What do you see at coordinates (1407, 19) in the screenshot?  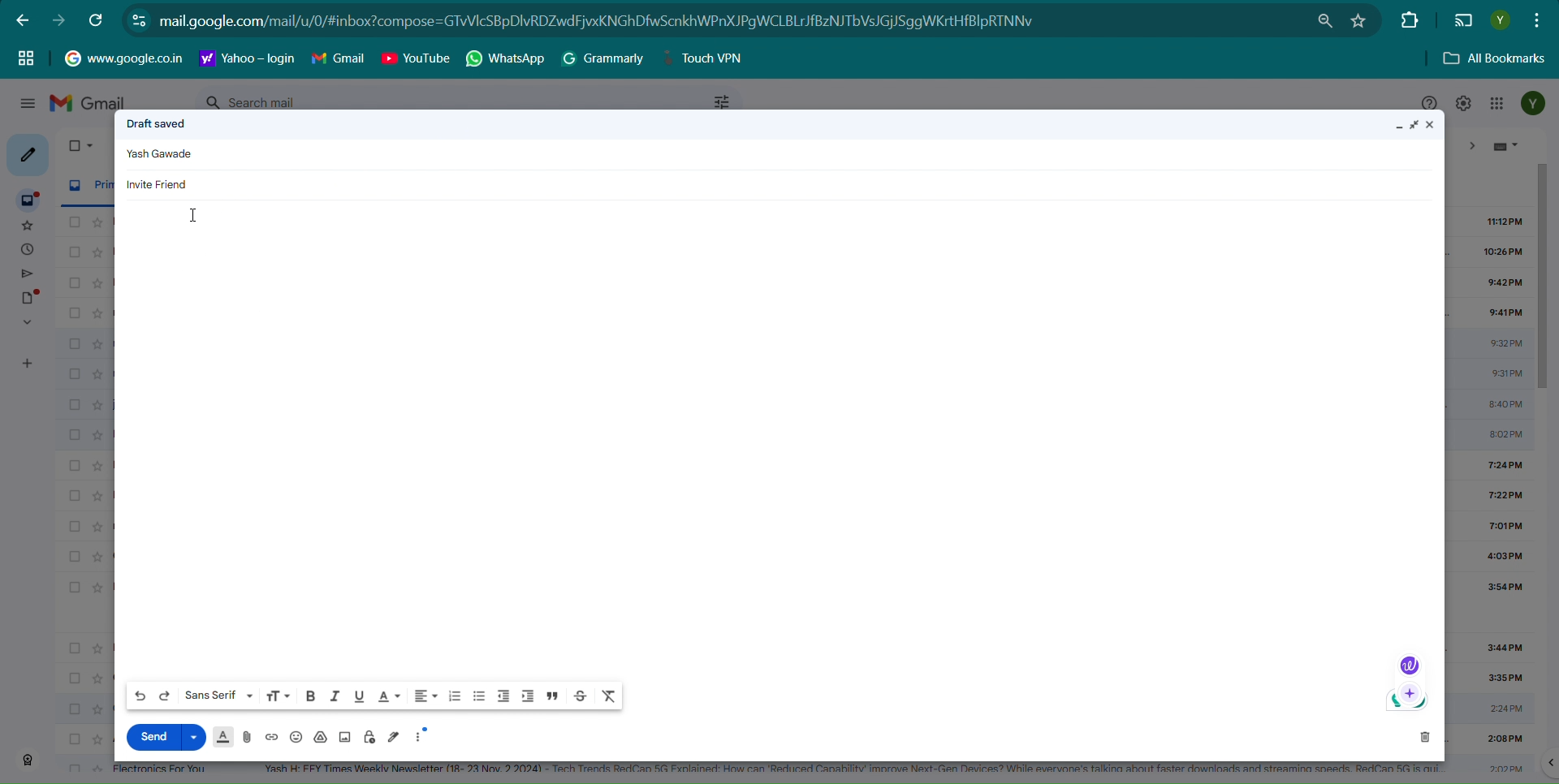 I see `Extensions` at bounding box center [1407, 19].